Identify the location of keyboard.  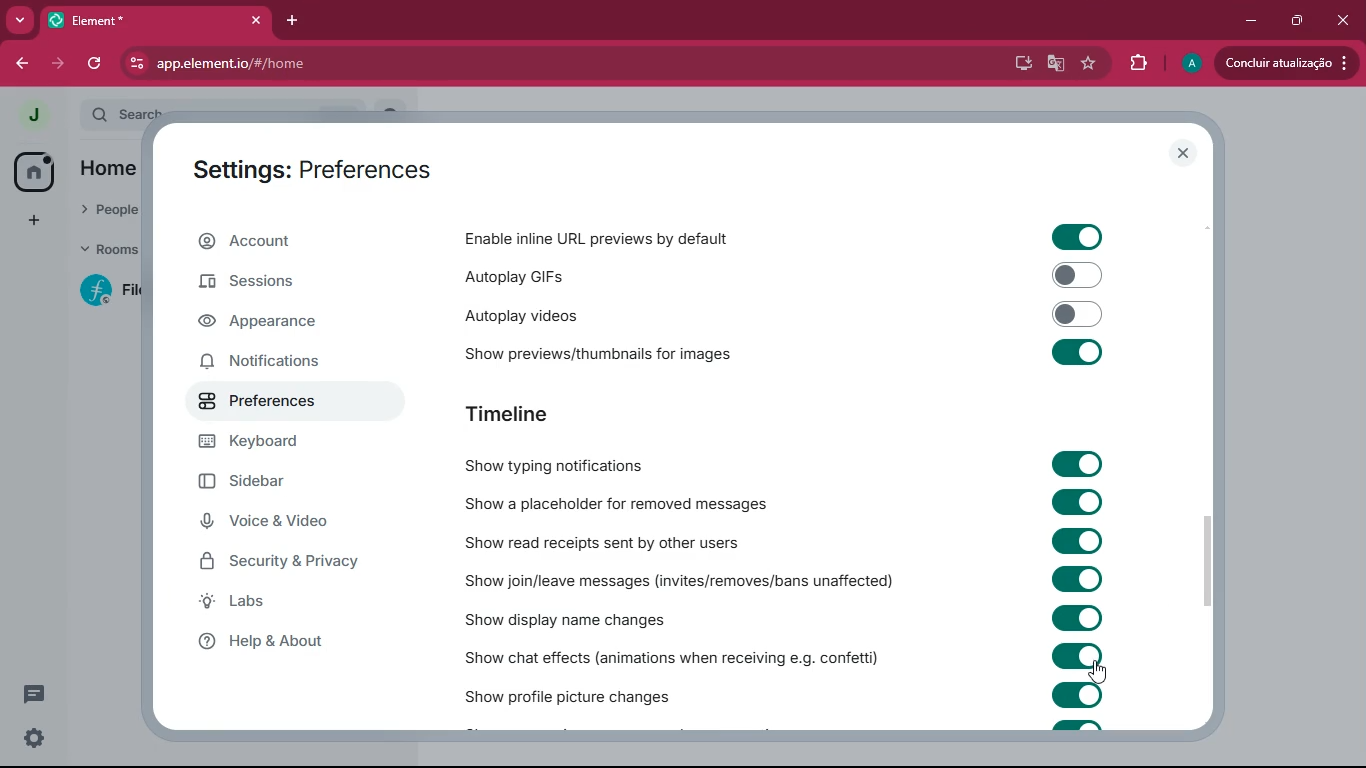
(262, 443).